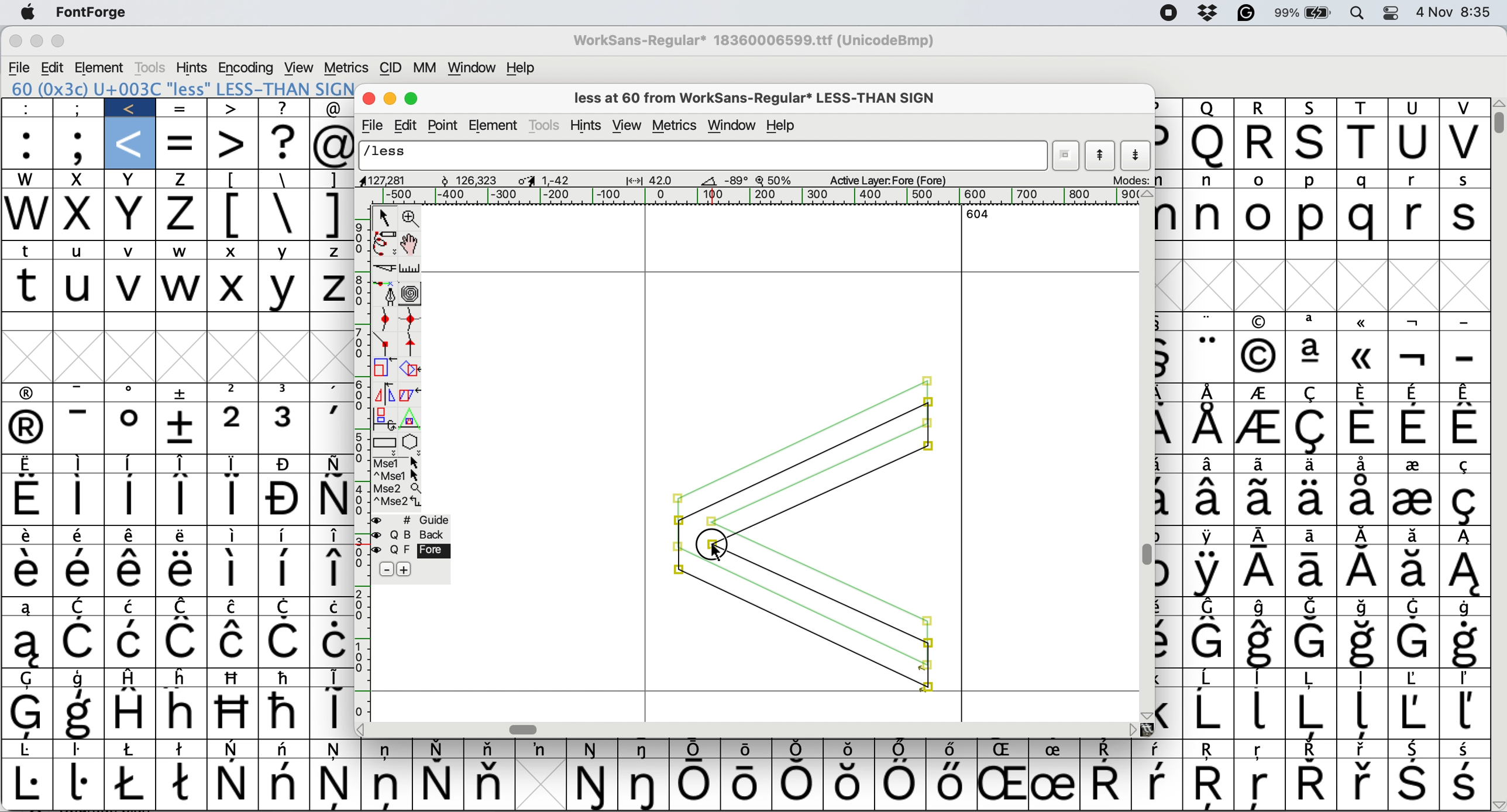  Describe the element at coordinates (1259, 180) in the screenshot. I see `o` at that location.